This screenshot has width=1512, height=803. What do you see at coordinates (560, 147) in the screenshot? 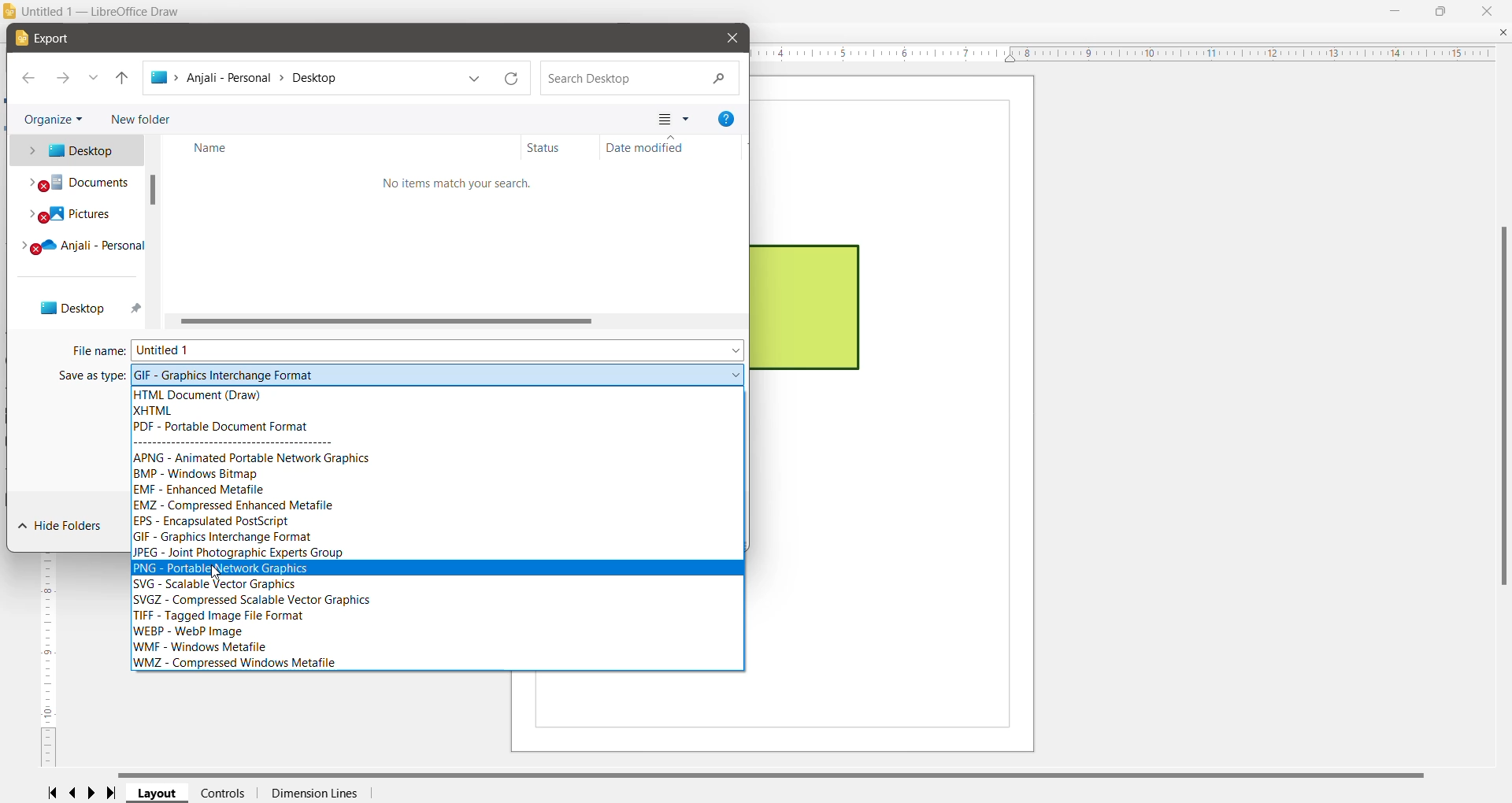
I see `Status` at bounding box center [560, 147].